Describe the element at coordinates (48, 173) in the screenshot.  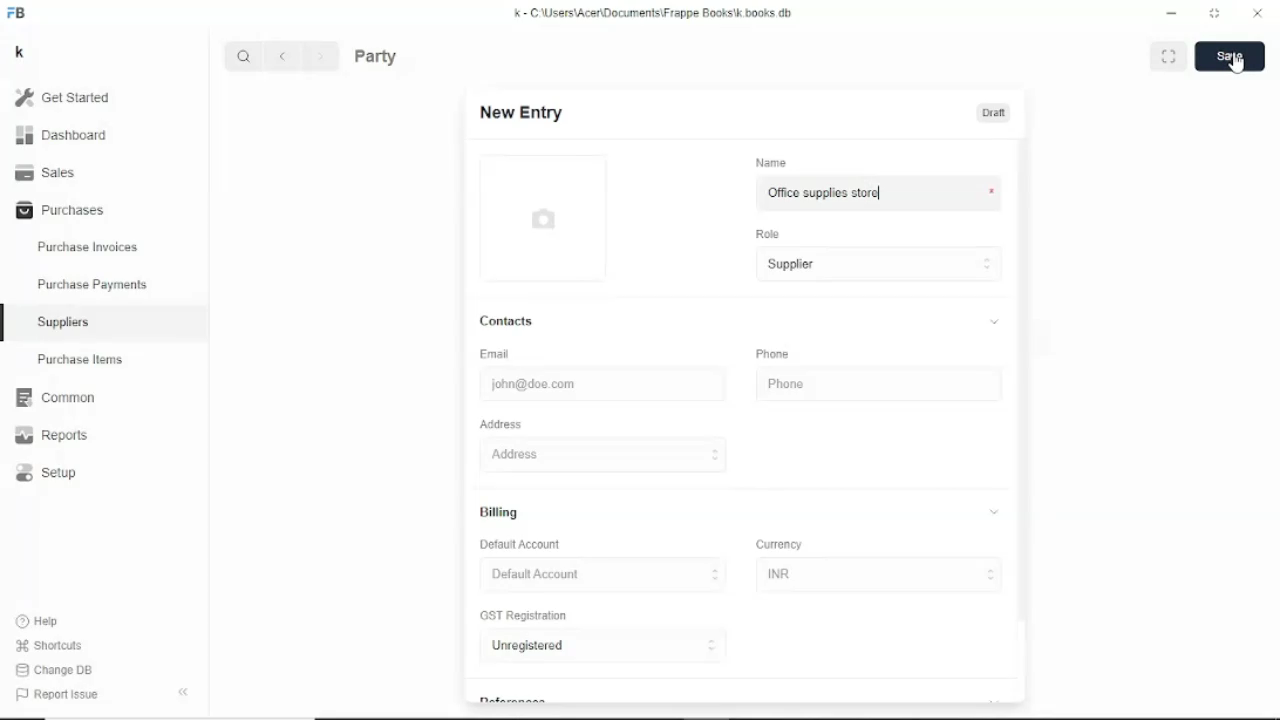
I see `Sales` at that location.